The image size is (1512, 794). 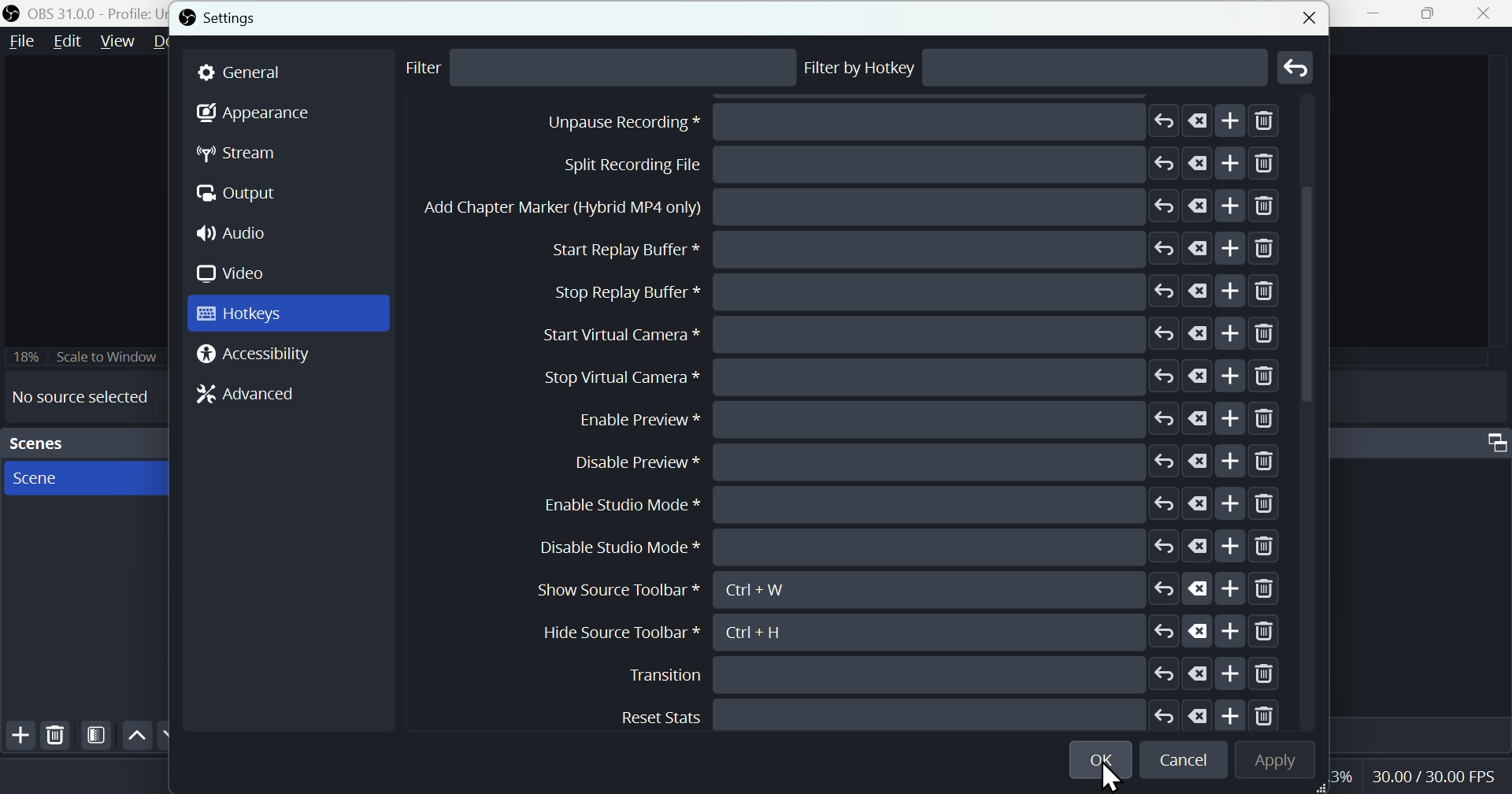 What do you see at coordinates (239, 398) in the screenshot?
I see `Advanced` at bounding box center [239, 398].